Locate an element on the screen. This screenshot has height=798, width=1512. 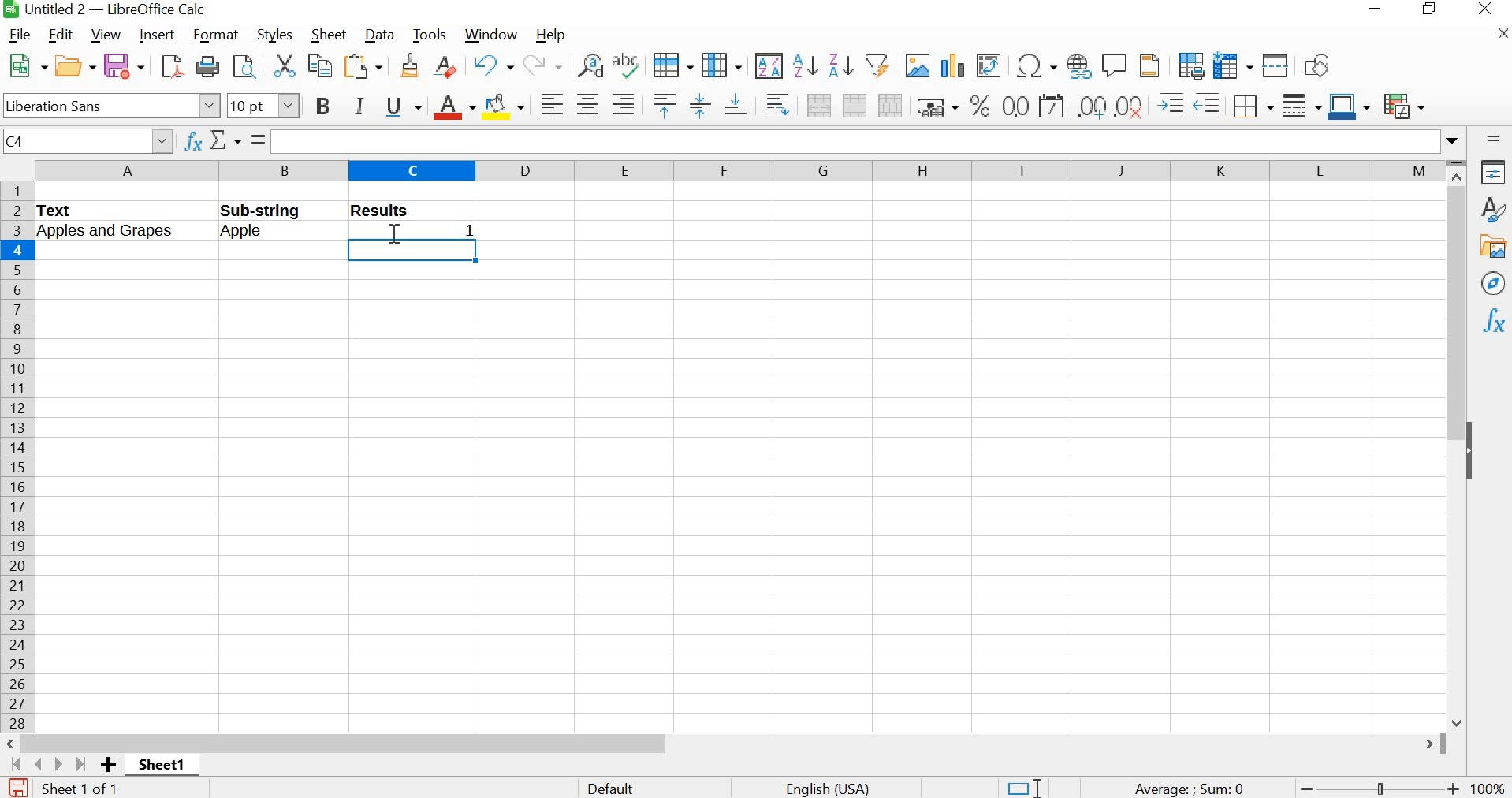
data is located at coordinates (378, 35).